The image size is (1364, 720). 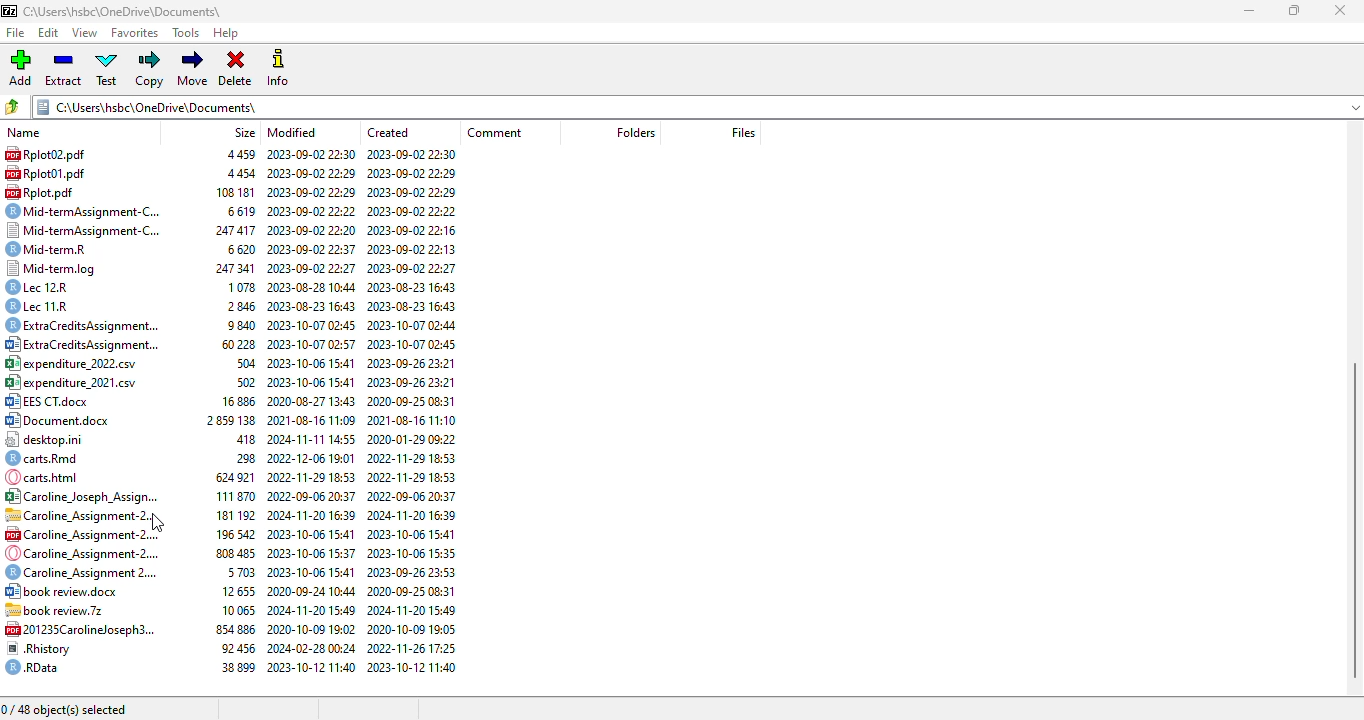 I want to click on 298, so click(x=241, y=457).